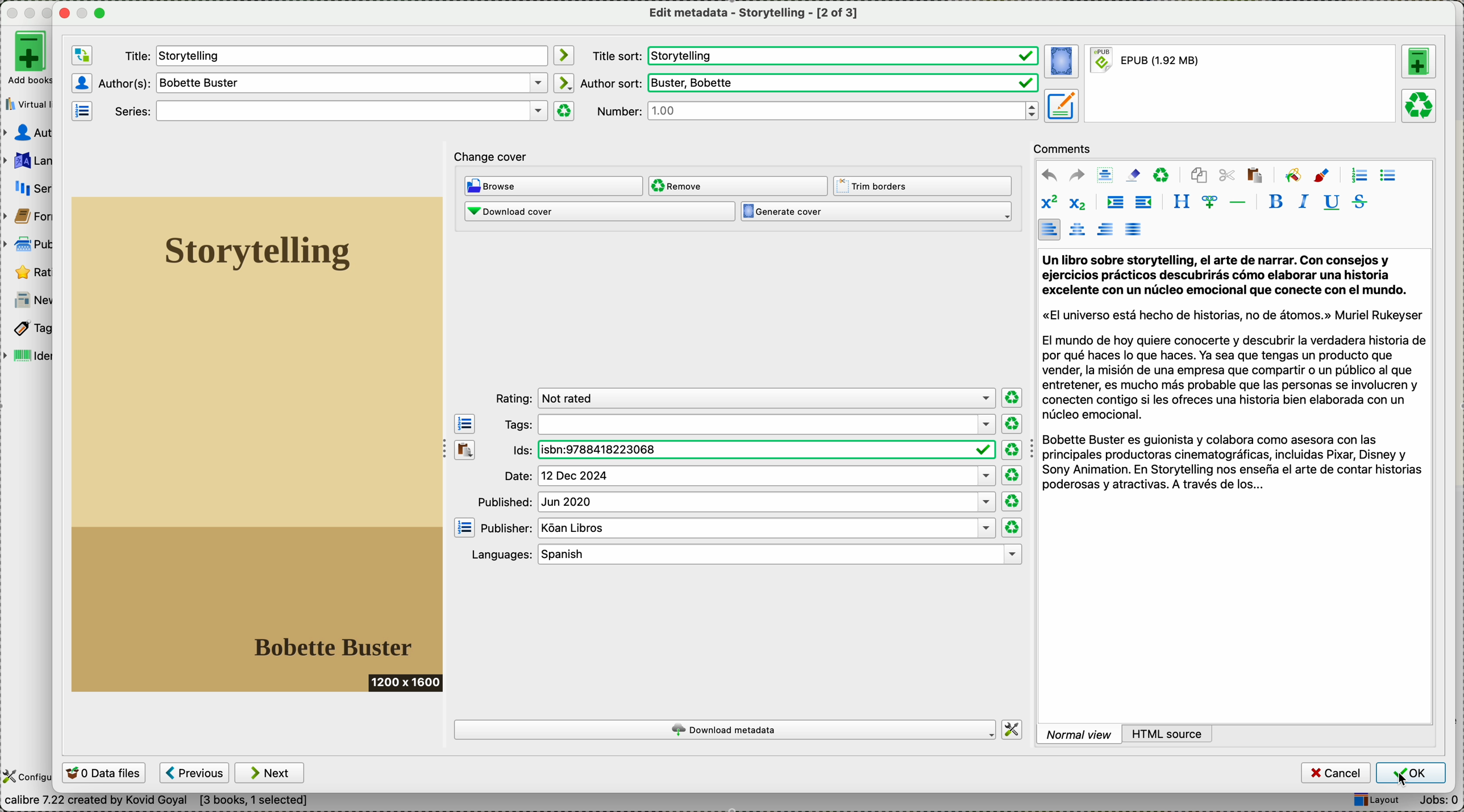 This screenshot has width=1464, height=812. What do you see at coordinates (1075, 175) in the screenshot?
I see `redo` at bounding box center [1075, 175].